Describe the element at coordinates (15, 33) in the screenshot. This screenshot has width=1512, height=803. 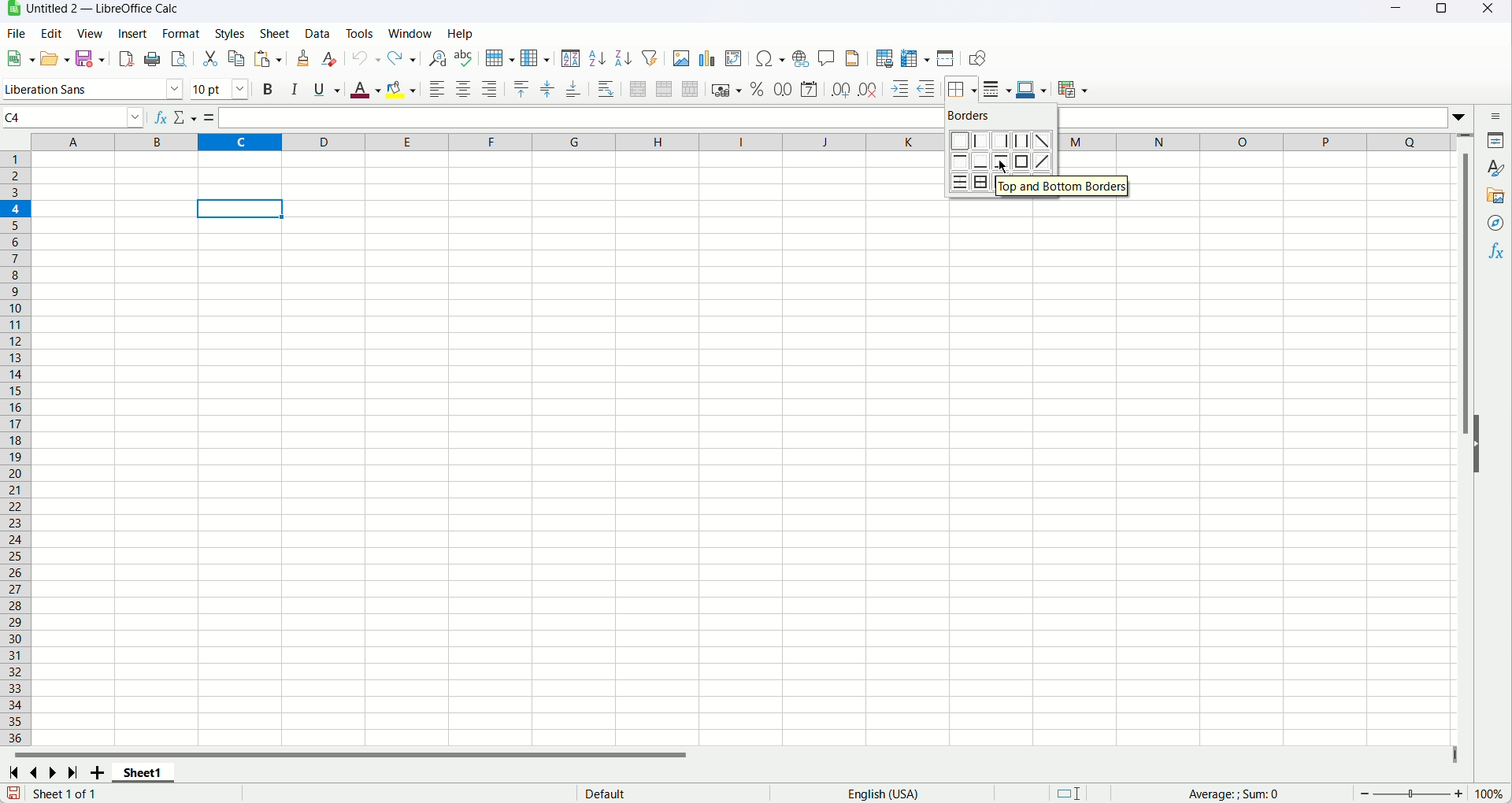
I see `File` at that location.